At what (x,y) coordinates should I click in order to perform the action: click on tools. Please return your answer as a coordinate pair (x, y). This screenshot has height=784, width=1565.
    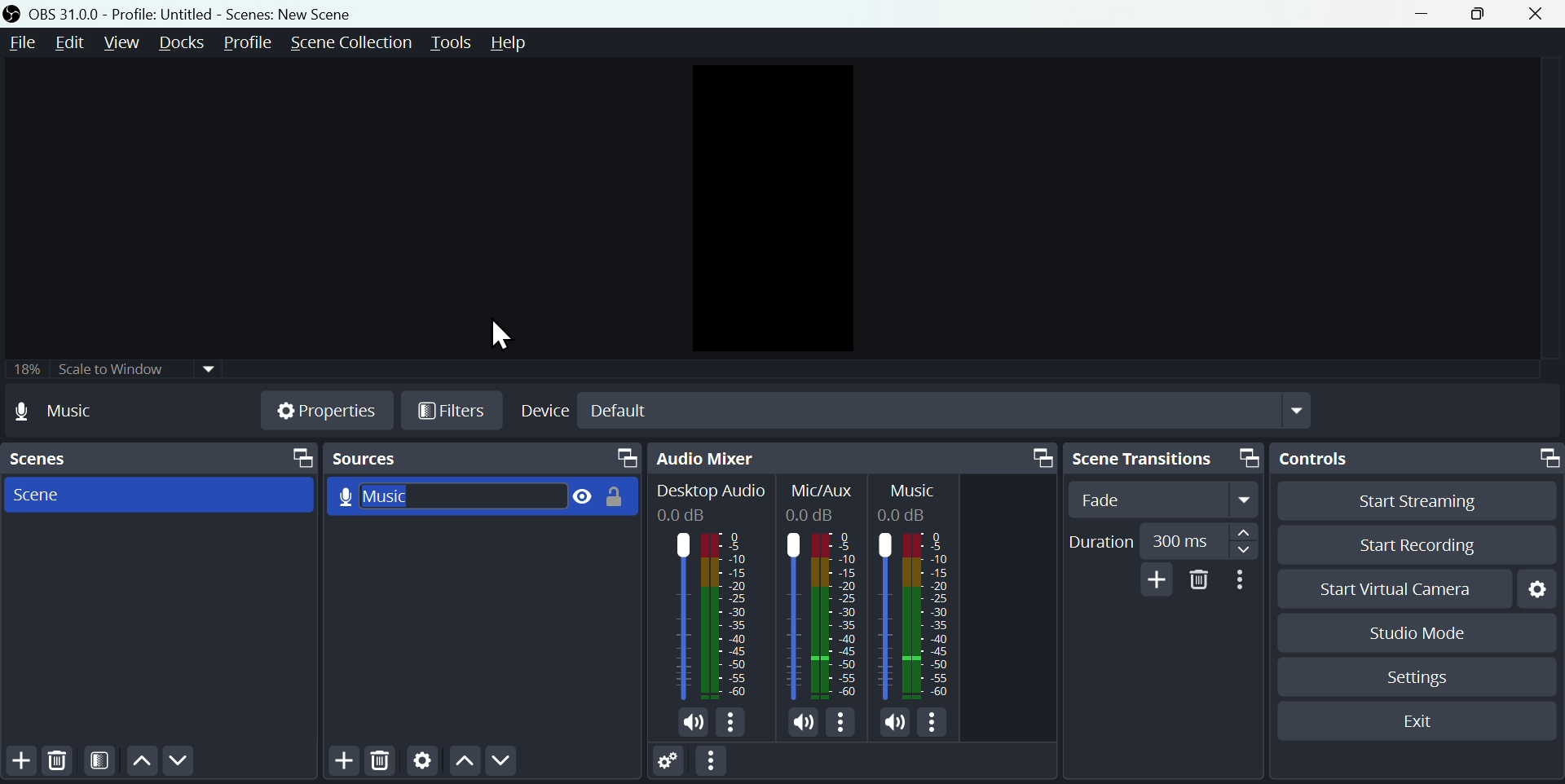
    Looking at the image, I should click on (454, 43).